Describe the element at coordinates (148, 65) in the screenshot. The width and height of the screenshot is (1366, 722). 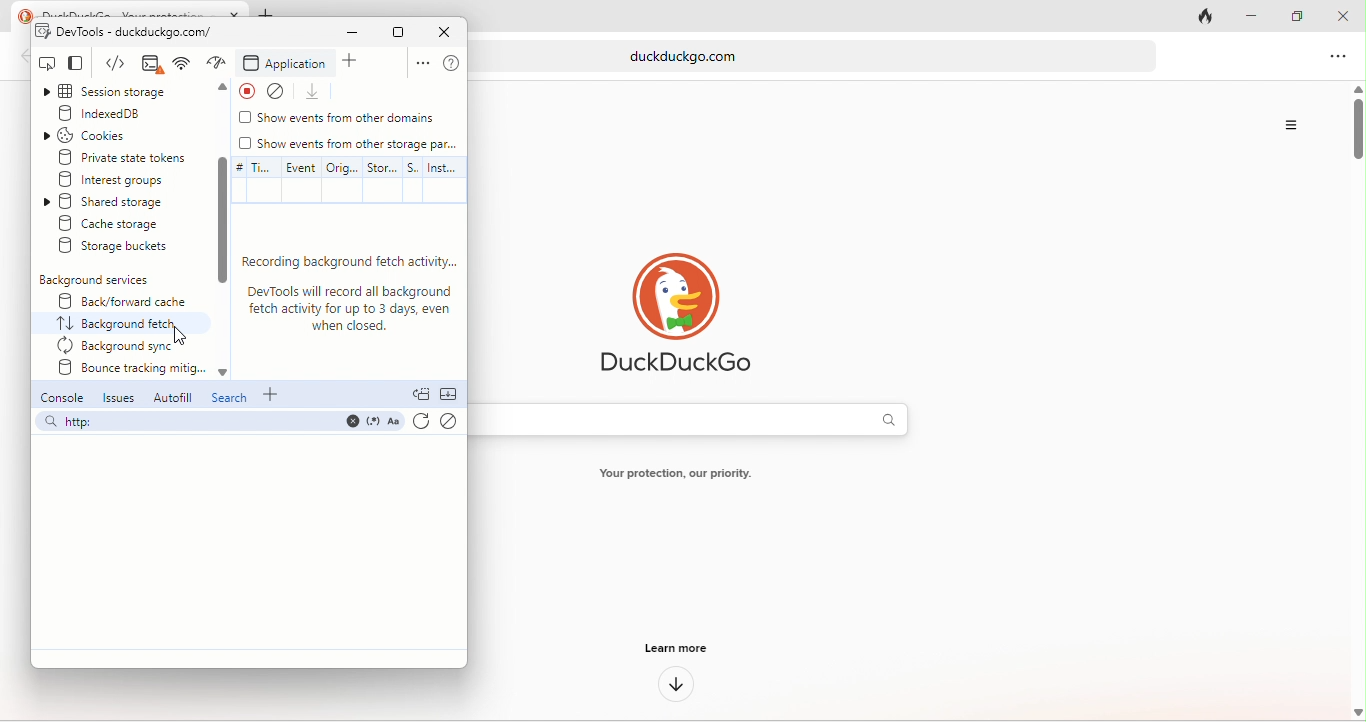
I see `elements` at that location.